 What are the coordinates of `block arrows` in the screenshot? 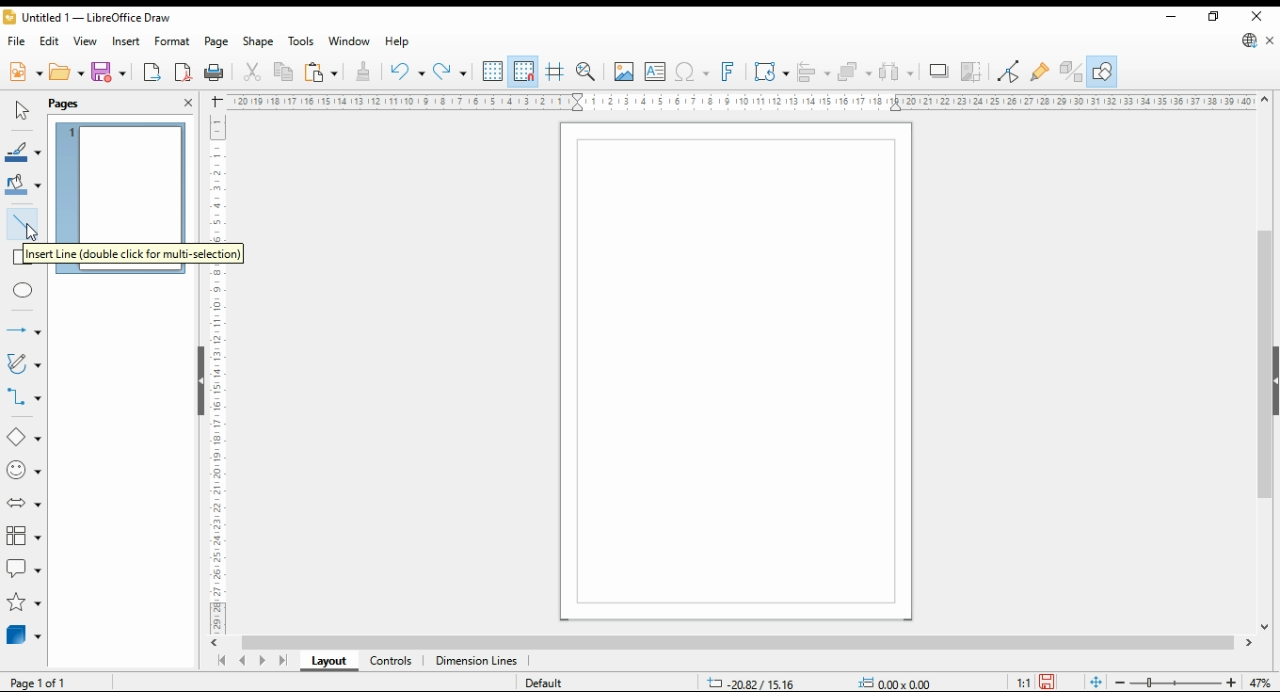 It's located at (25, 504).